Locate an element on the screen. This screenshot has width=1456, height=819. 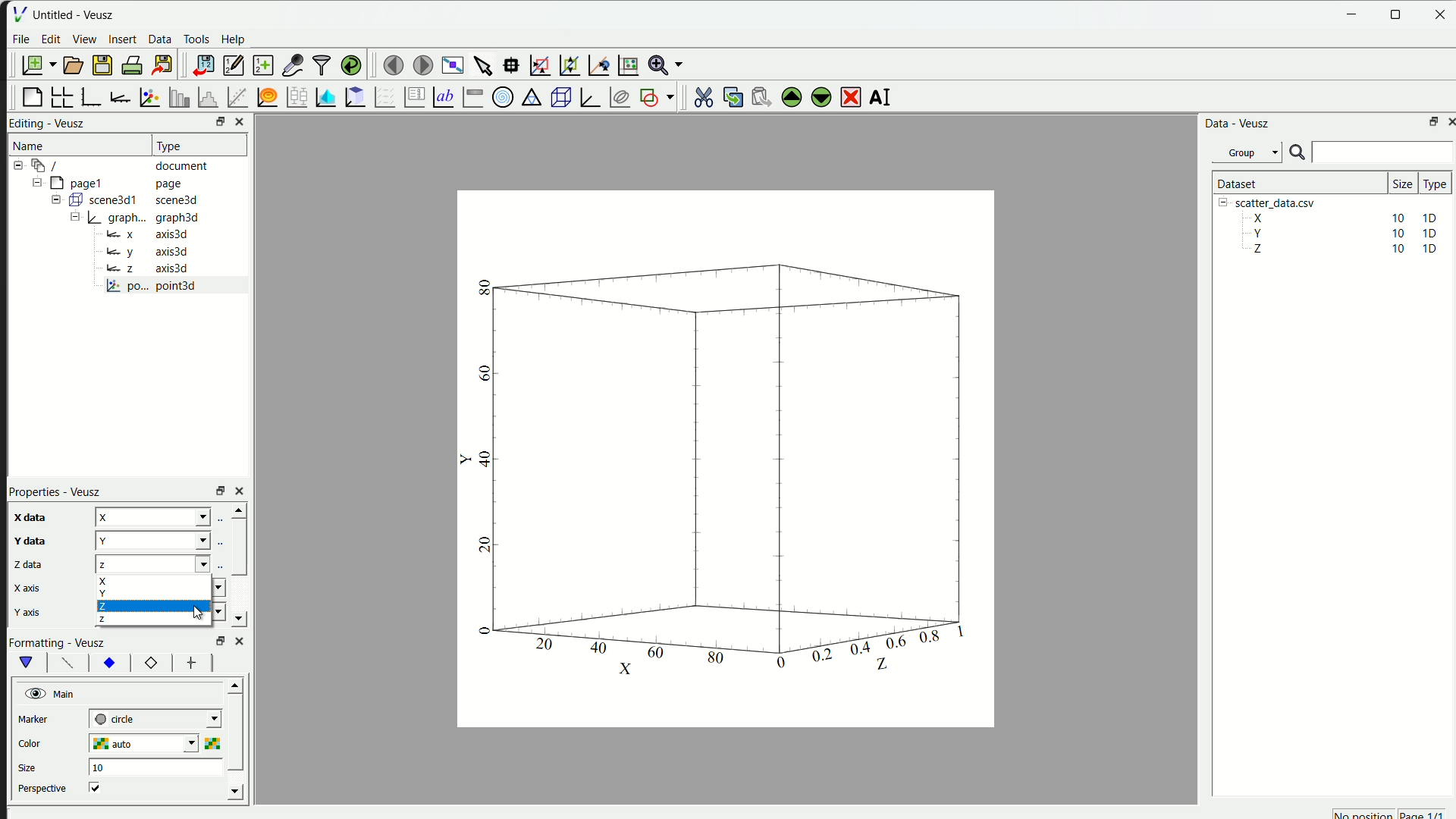
editor is located at coordinates (231, 65).